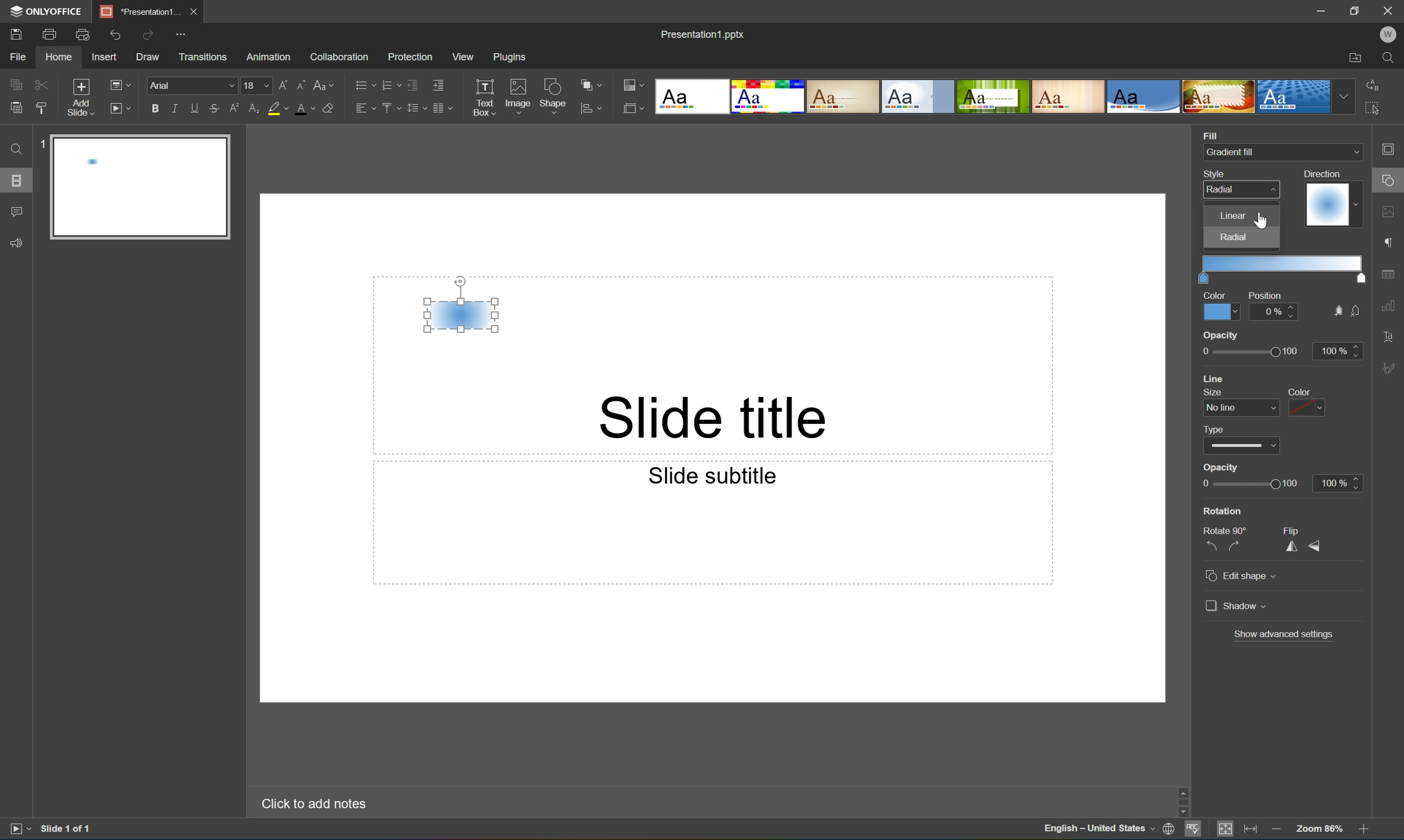  What do you see at coordinates (512, 57) in the screenshot?
I see `Plugins` at bounding box center [512, 57].